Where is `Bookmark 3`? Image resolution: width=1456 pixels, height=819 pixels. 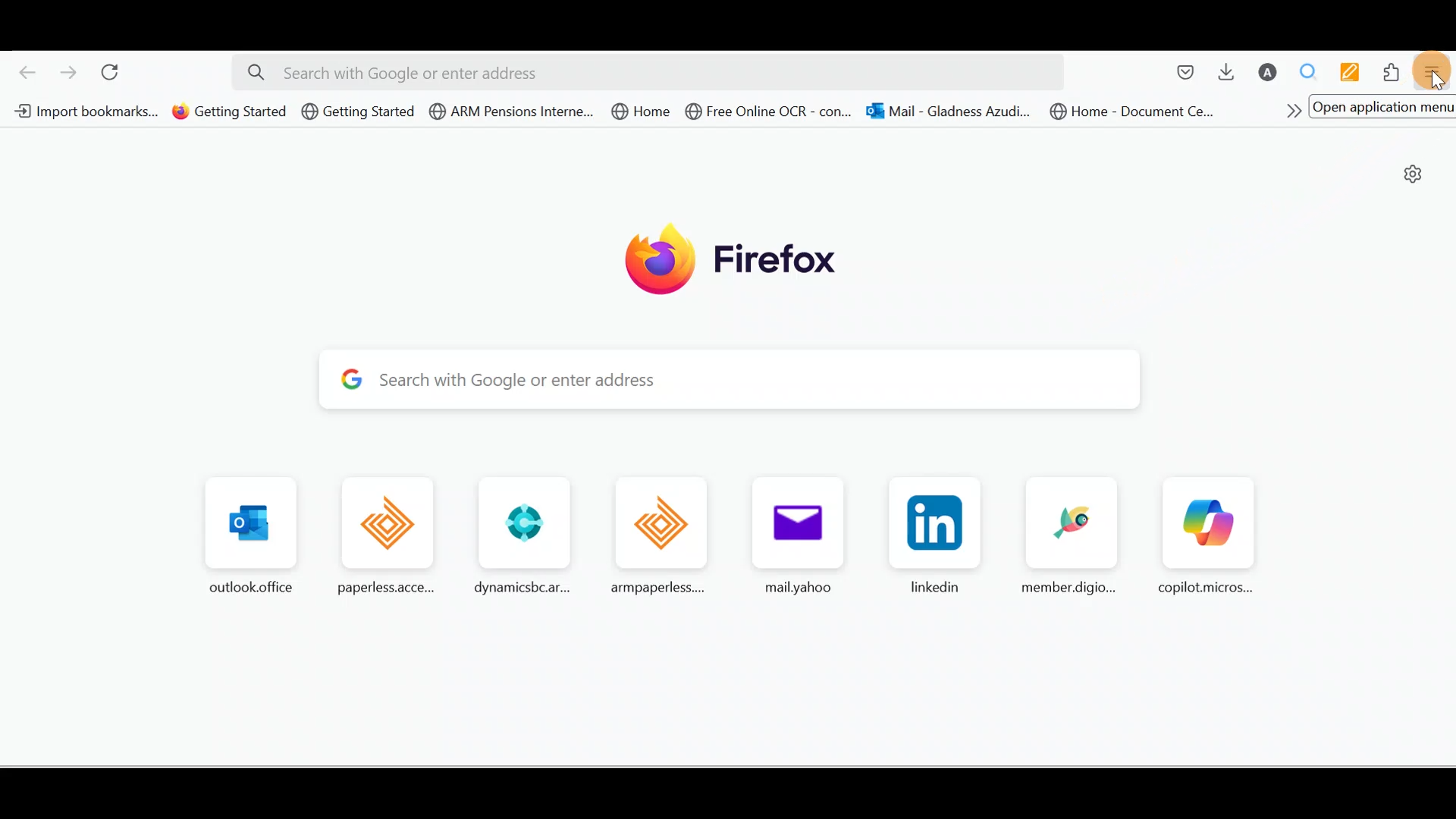
Bookmark 3 is located at coordinates (358, 111).